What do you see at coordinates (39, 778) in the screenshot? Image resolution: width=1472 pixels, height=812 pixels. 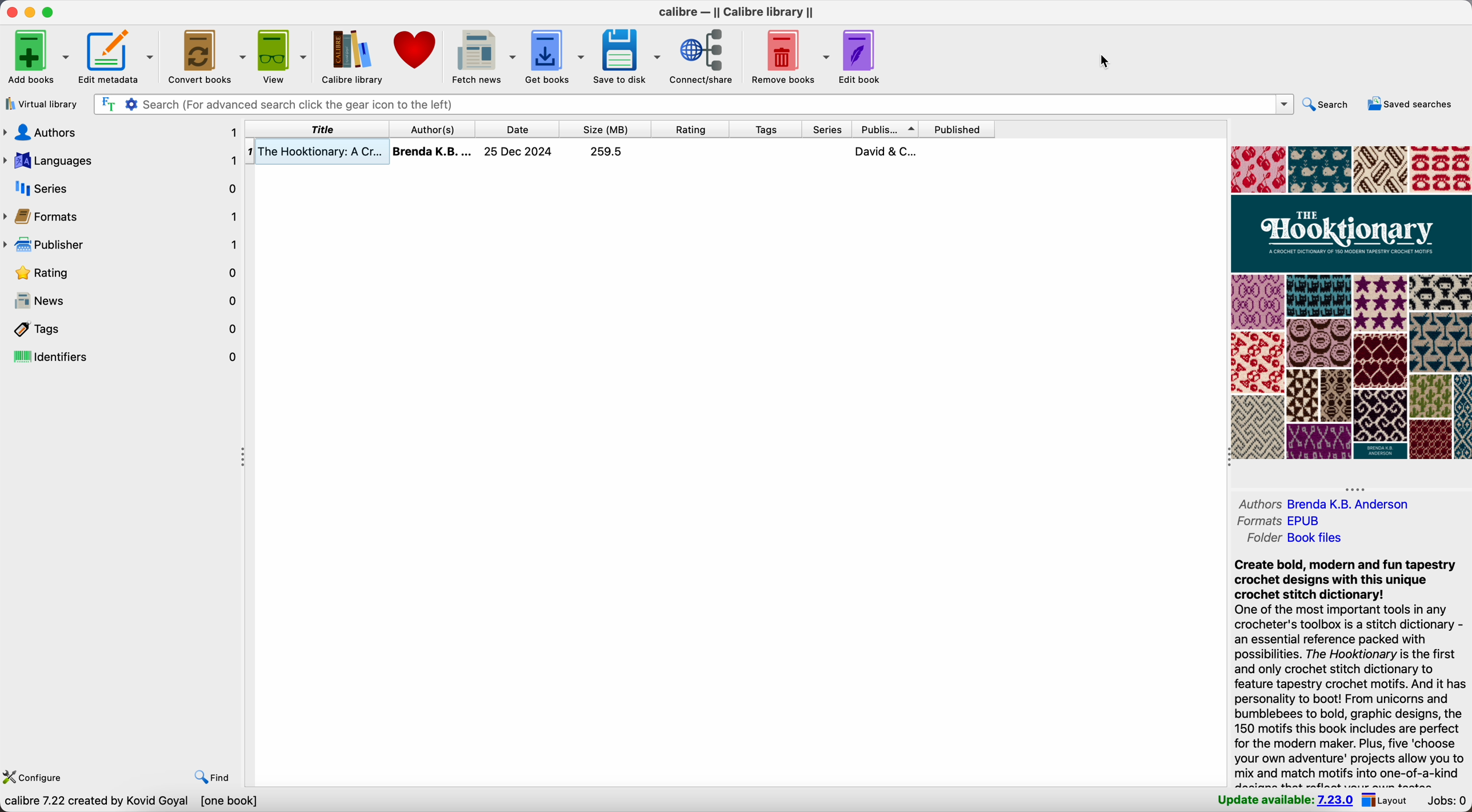 I see `configure` at bounding box center [39, 778].